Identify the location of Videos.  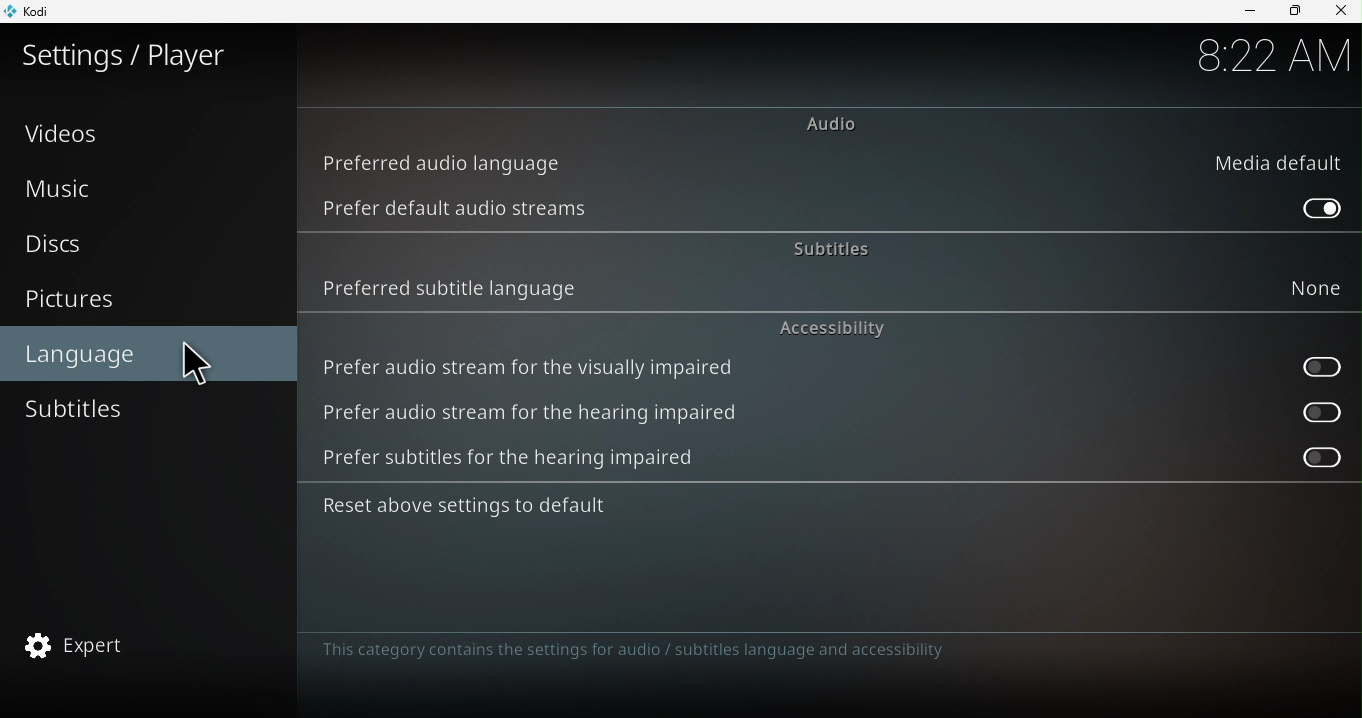
(148, 132).